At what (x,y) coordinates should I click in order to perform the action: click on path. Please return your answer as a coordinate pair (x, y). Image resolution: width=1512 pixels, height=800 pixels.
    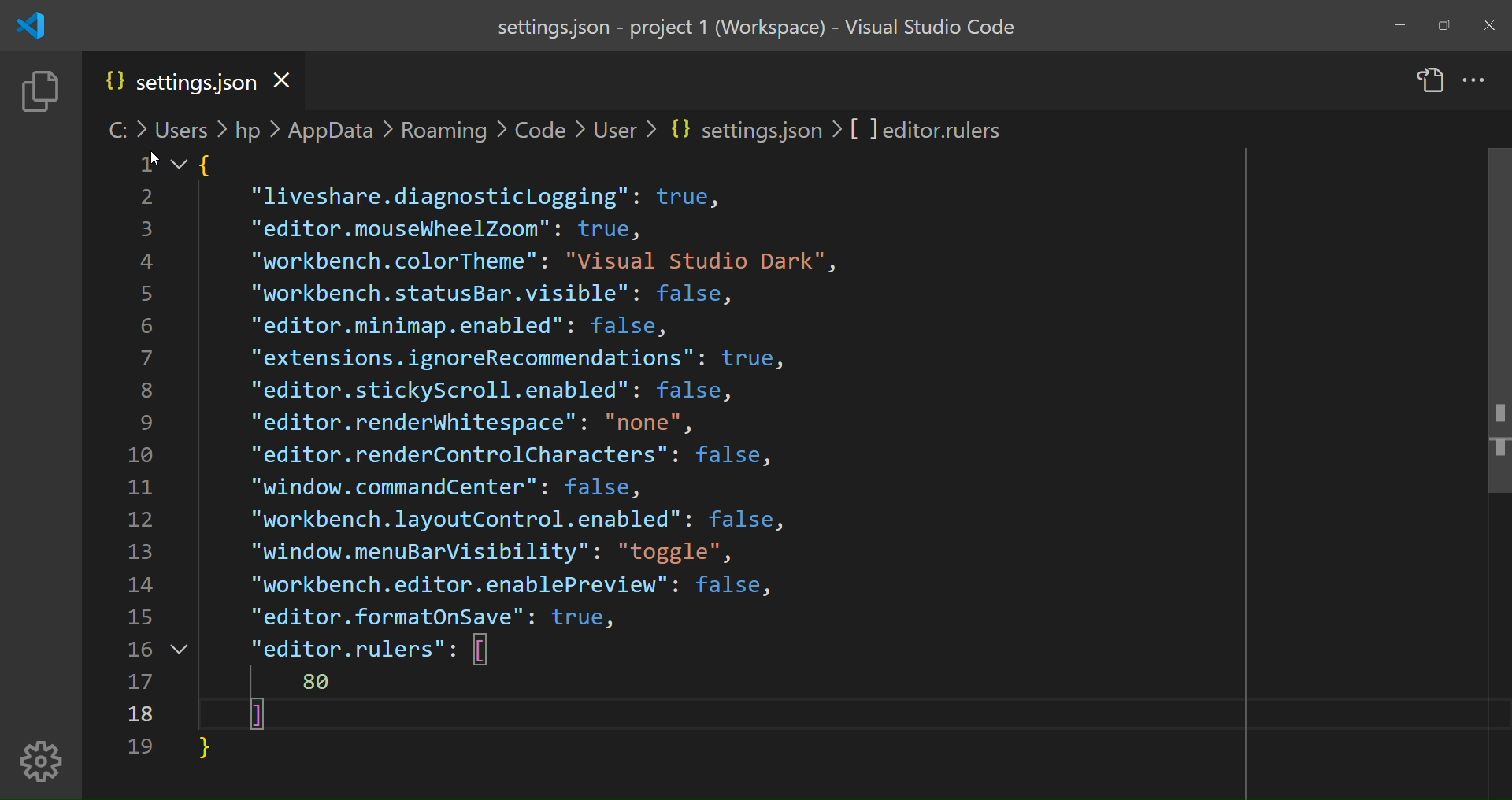
    Looking at the image, I should click on (565, 128).